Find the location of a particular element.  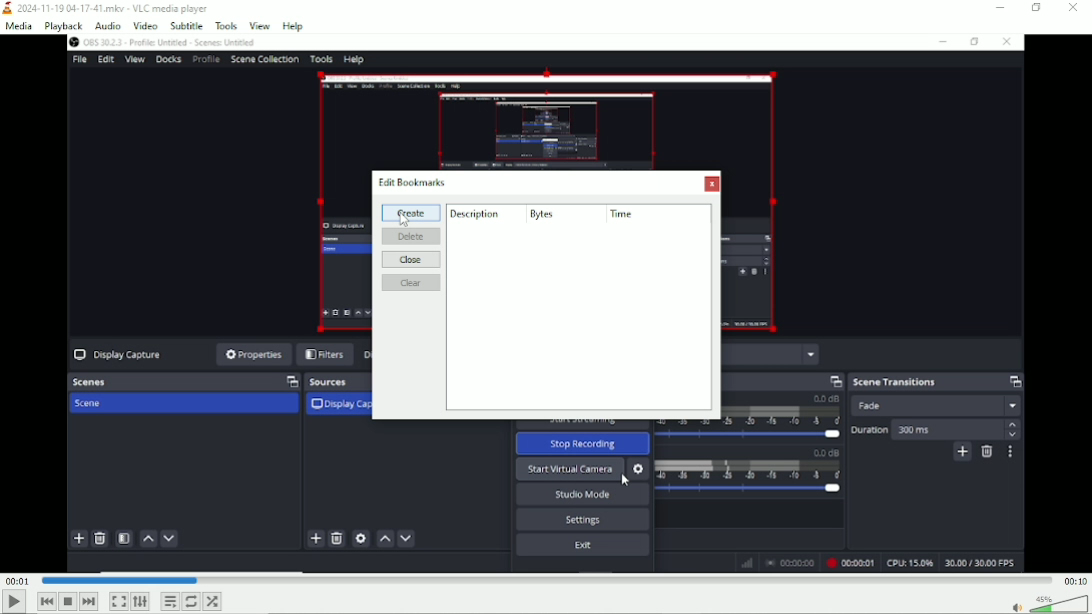

Delete is located at coordinates (412, 236).